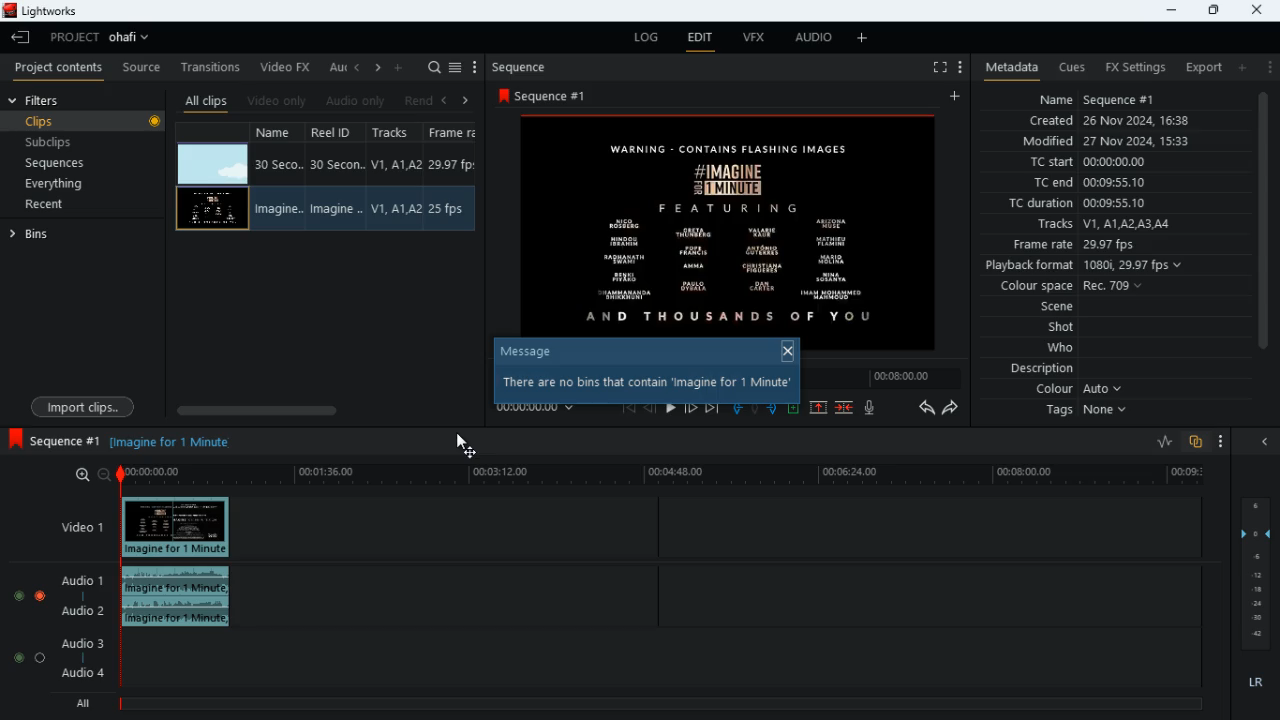  Describe the element at coordinates (434, 67) in the screenshot. I see `search` at that location.